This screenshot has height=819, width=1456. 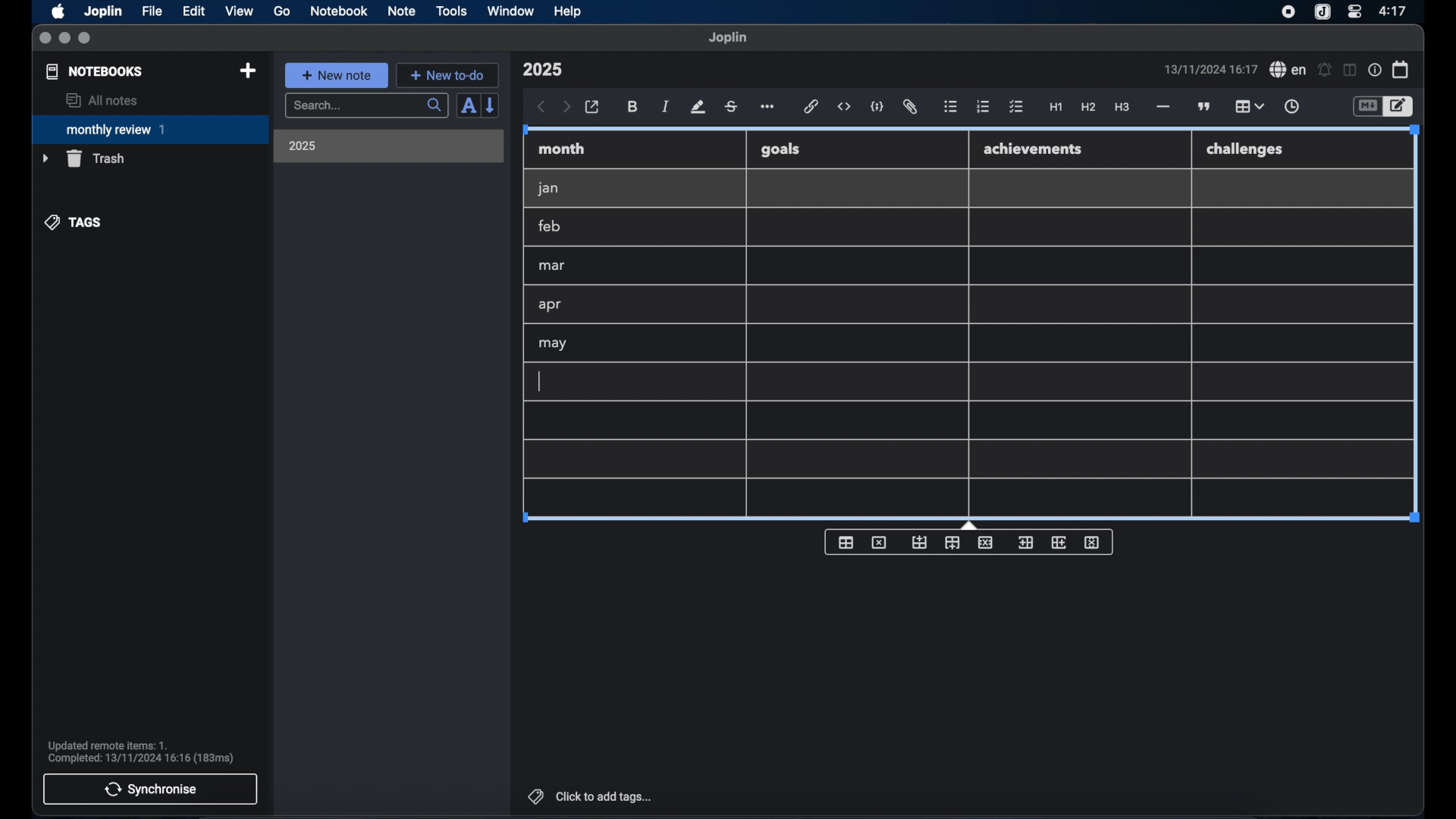 What do you see at coordinates (1016, 108) in the screenshot?
I see `check  list` at bounding box center [1016, 108].